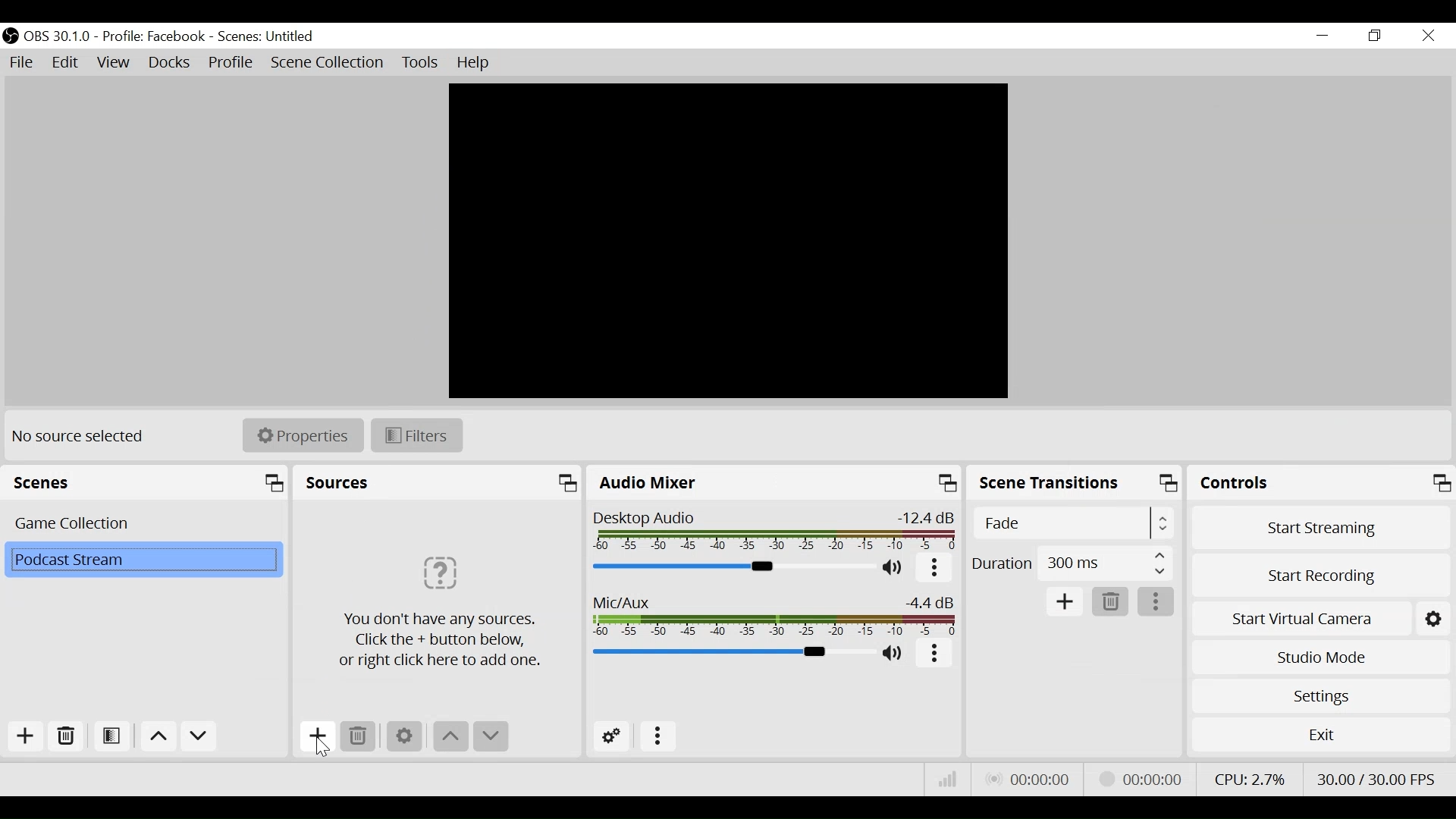 Image resolution: width=1456 pixels, height=819 pixels. Describe the element at coordinates (1109, 601) in the screenshot. I see `Remove` at that location.